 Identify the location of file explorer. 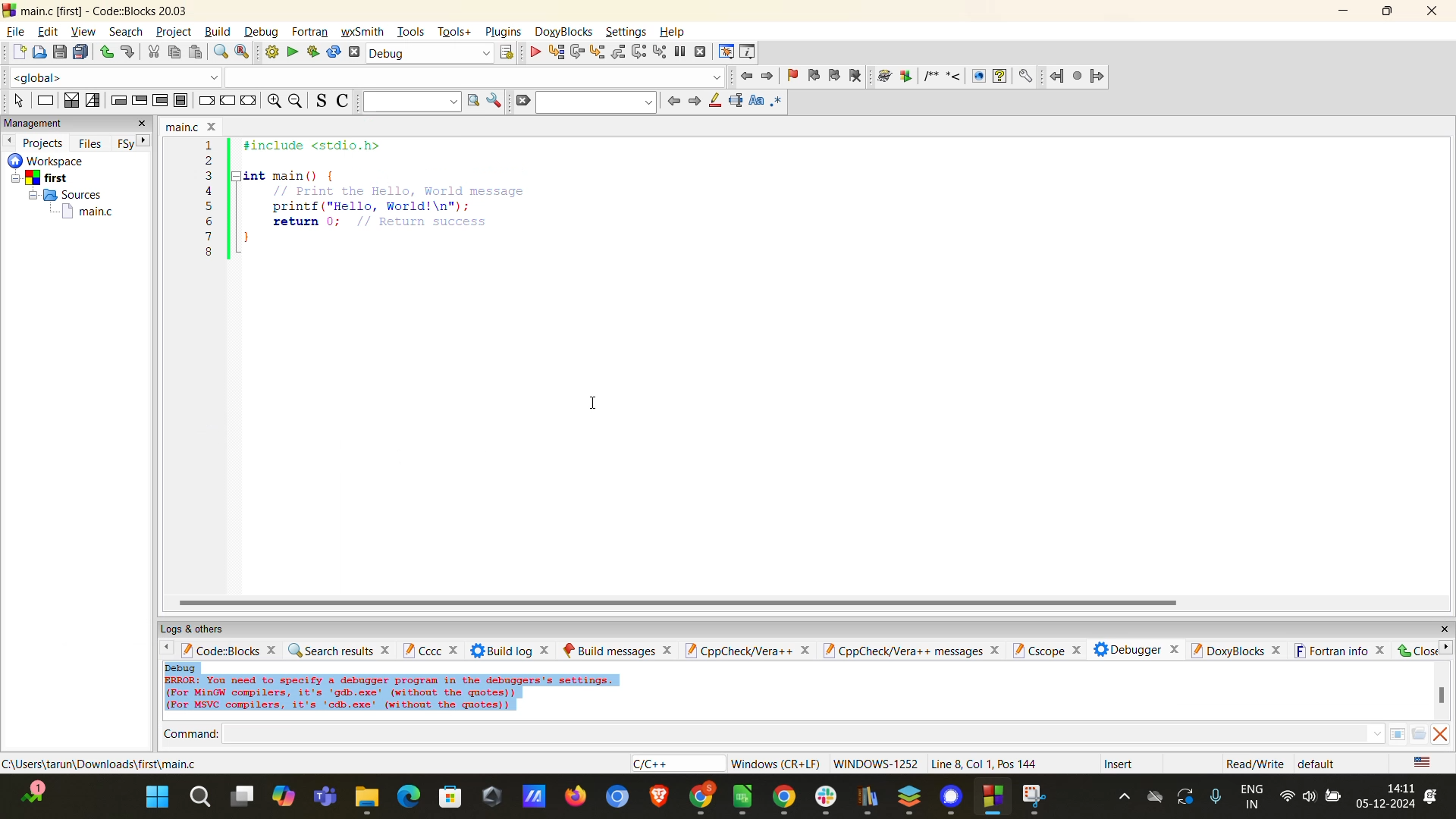
(364, 796).